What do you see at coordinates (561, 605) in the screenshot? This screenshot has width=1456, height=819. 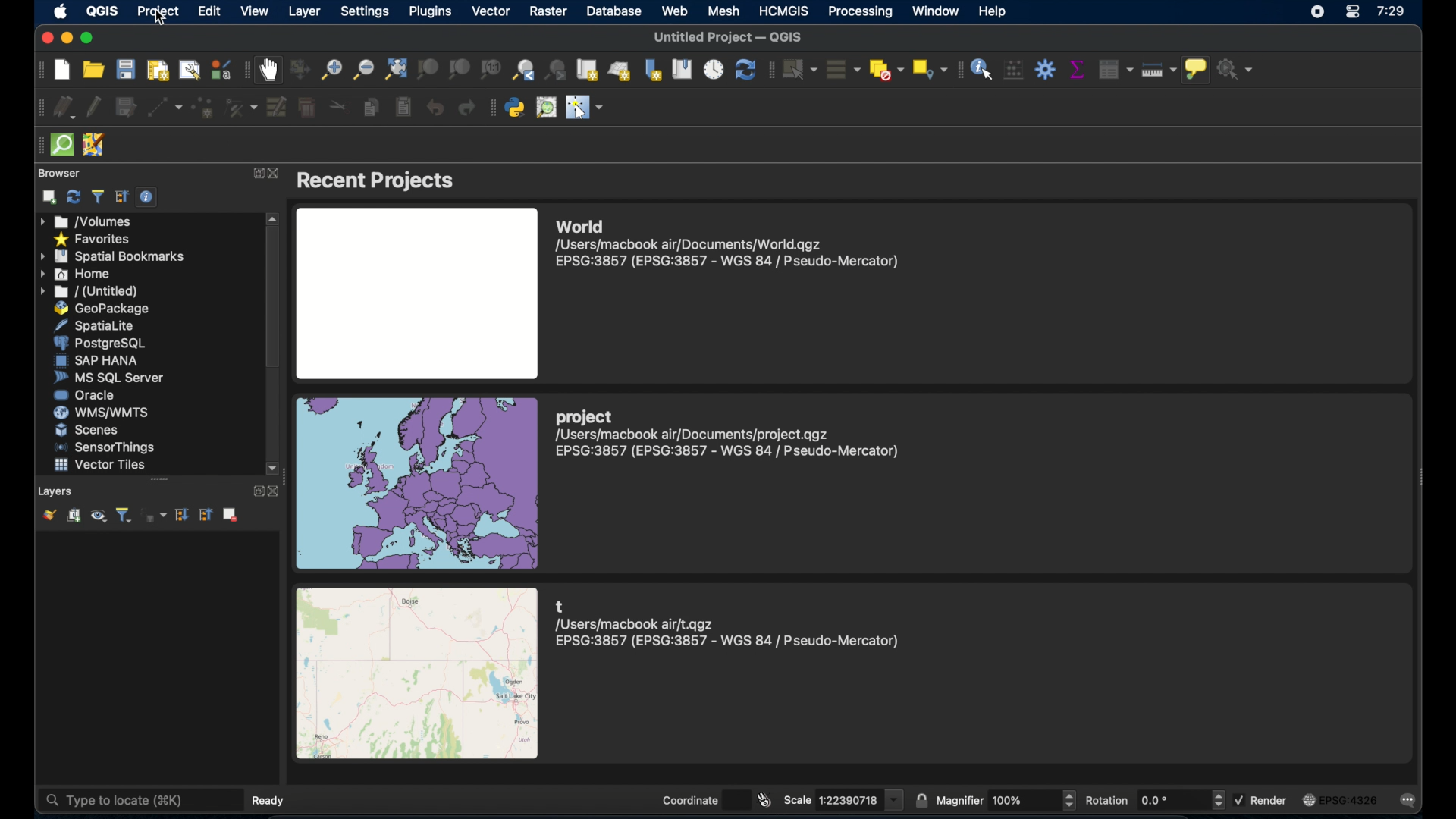 I see `t` at bounding box center [561, 605].